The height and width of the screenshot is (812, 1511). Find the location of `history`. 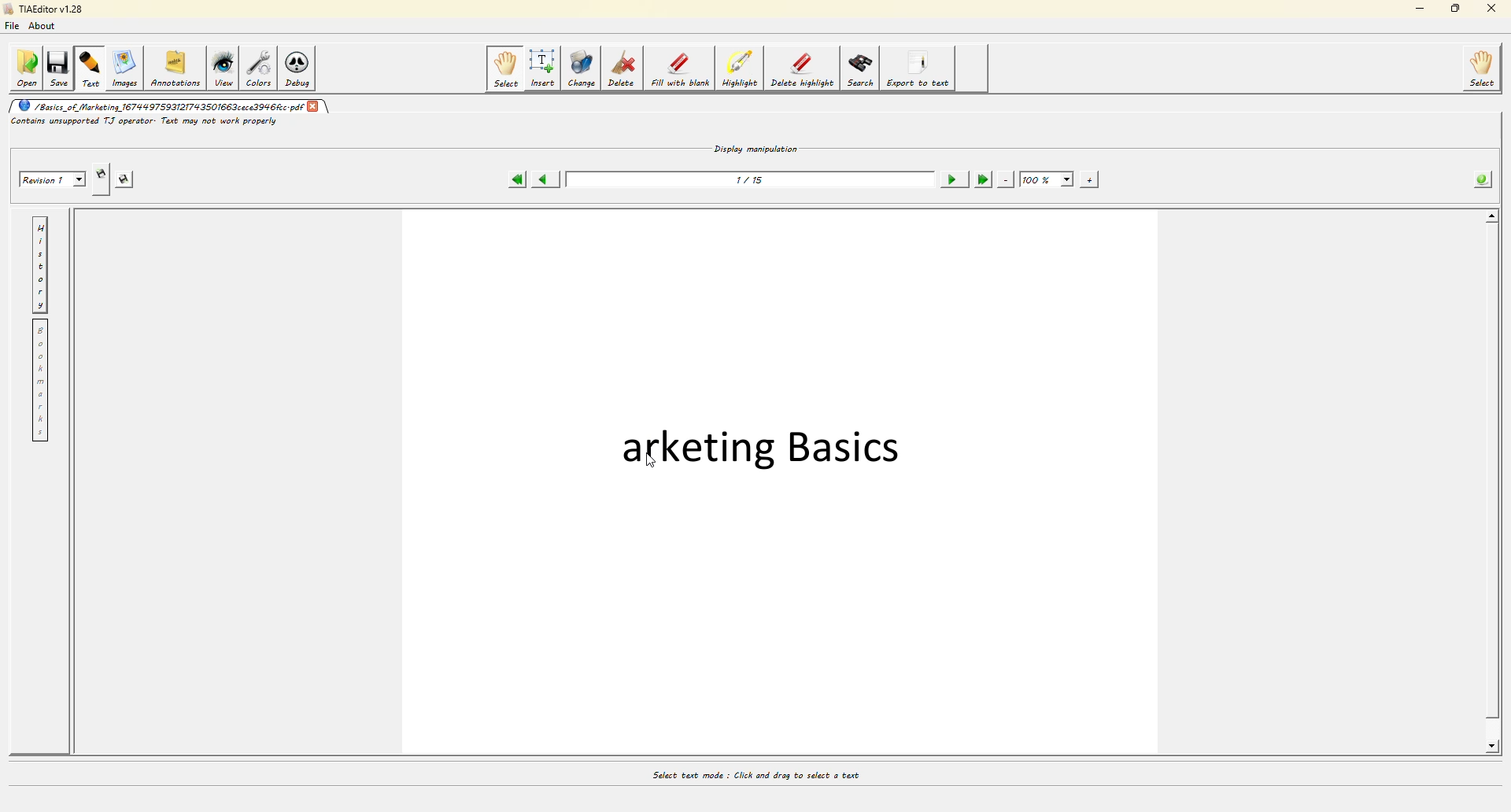

history is located at coordinates (39, 264).